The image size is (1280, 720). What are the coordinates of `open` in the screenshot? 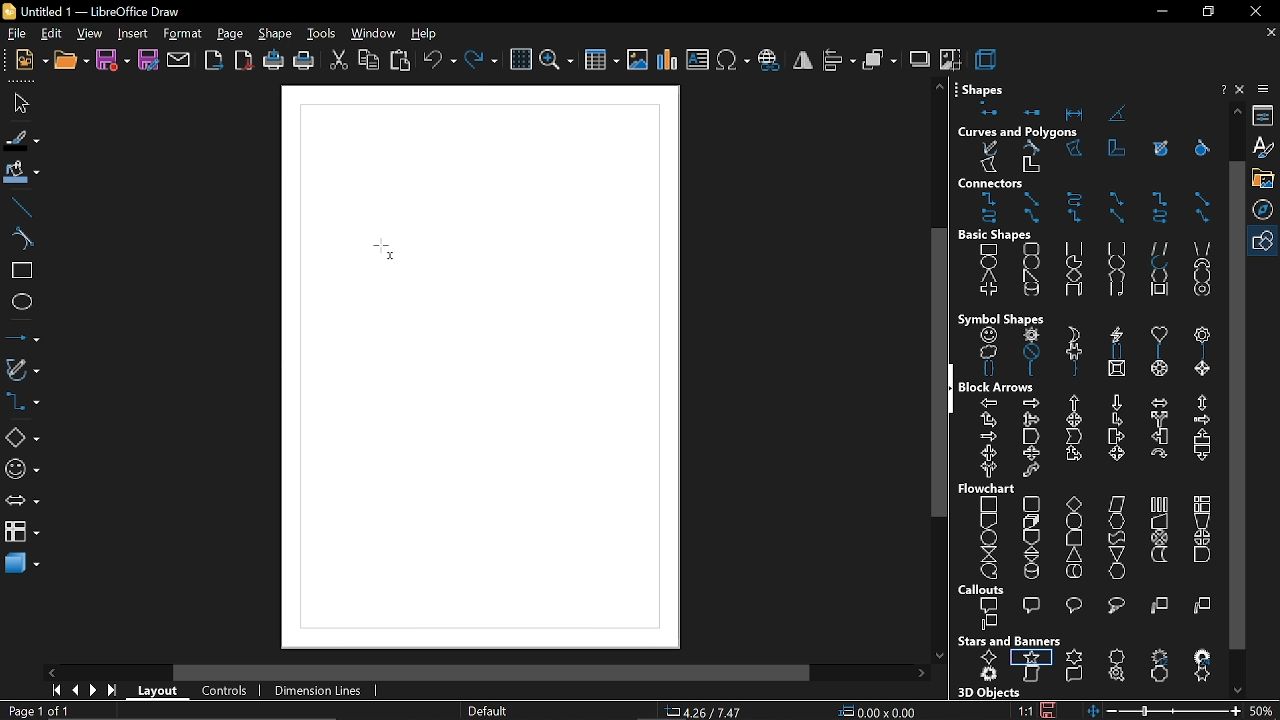 It's located at (70, 61).